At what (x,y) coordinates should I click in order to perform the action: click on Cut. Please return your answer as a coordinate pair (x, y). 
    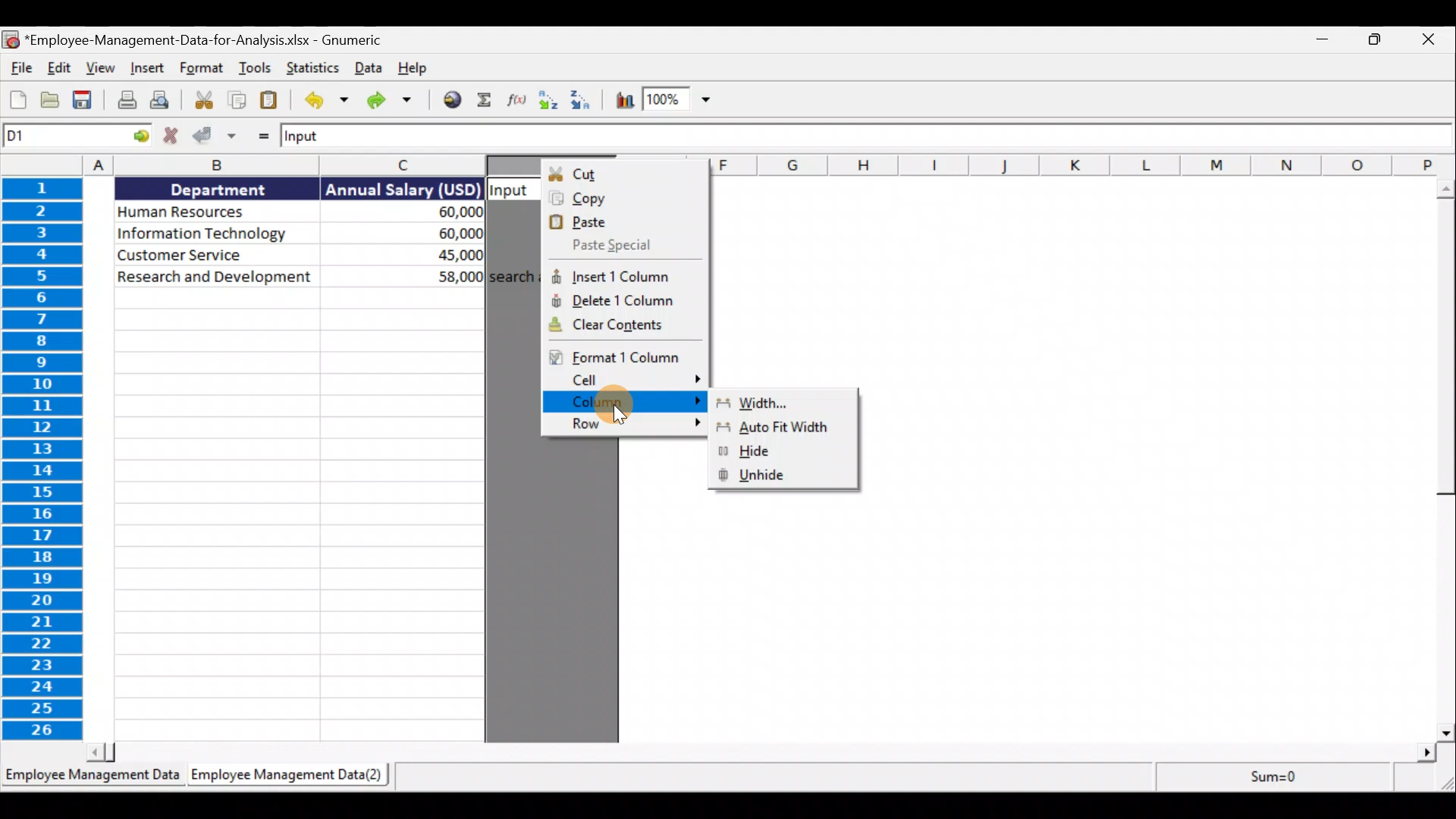
    Looking at the image, I should click on (625, 174).